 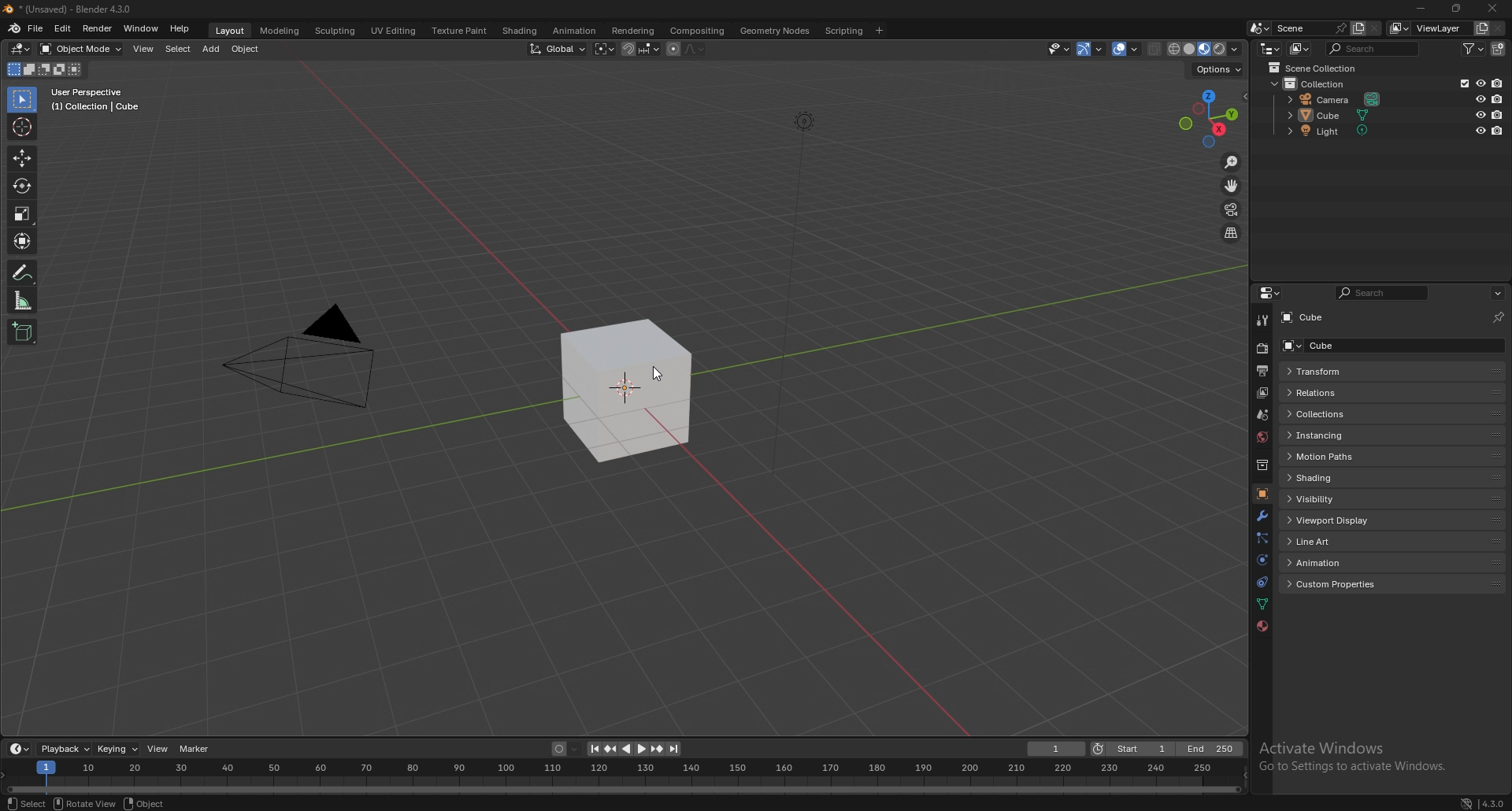 I want to click on proportional editing object, so click(x=673, y=50).